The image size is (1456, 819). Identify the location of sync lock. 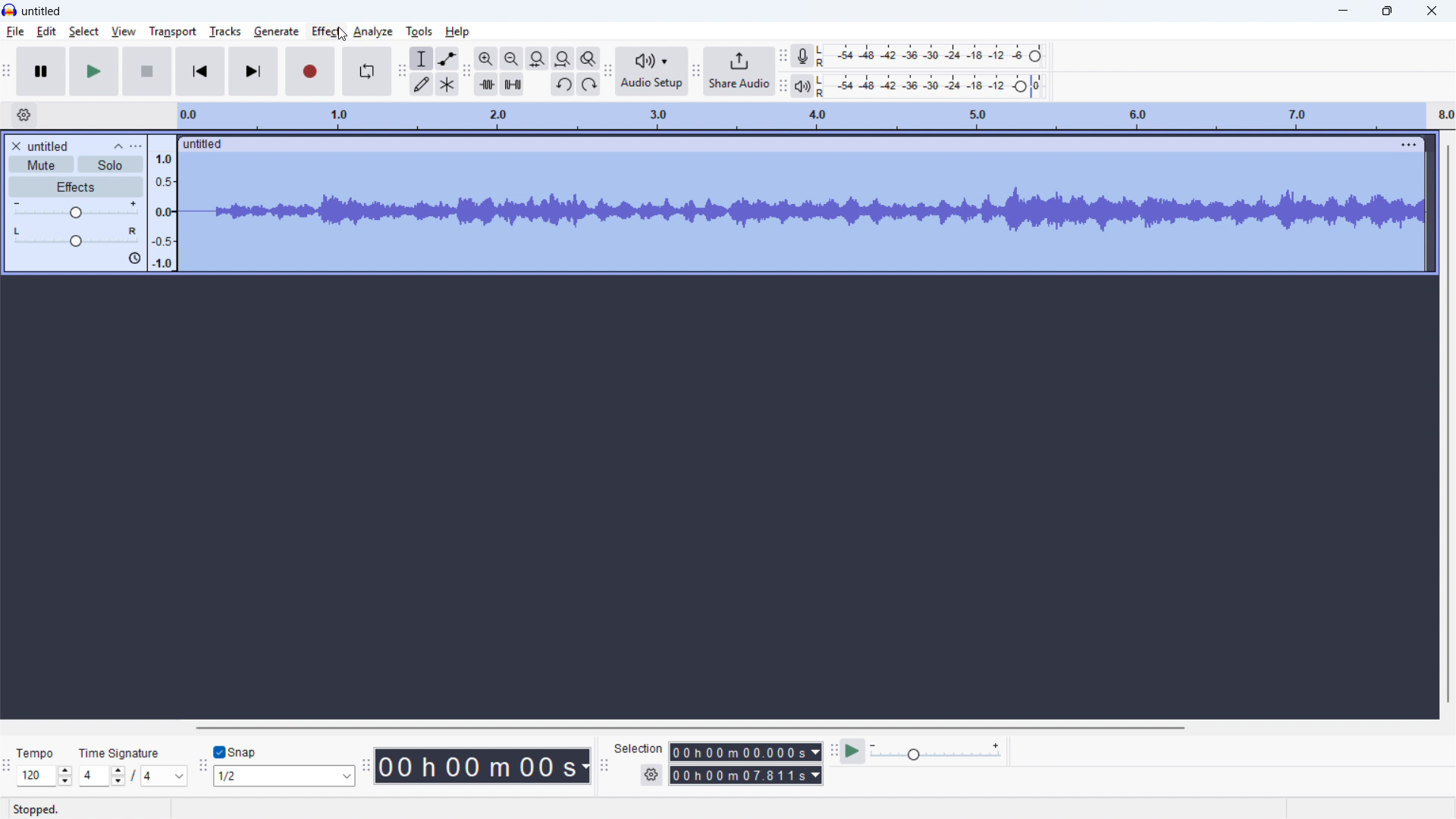
(133, 259).